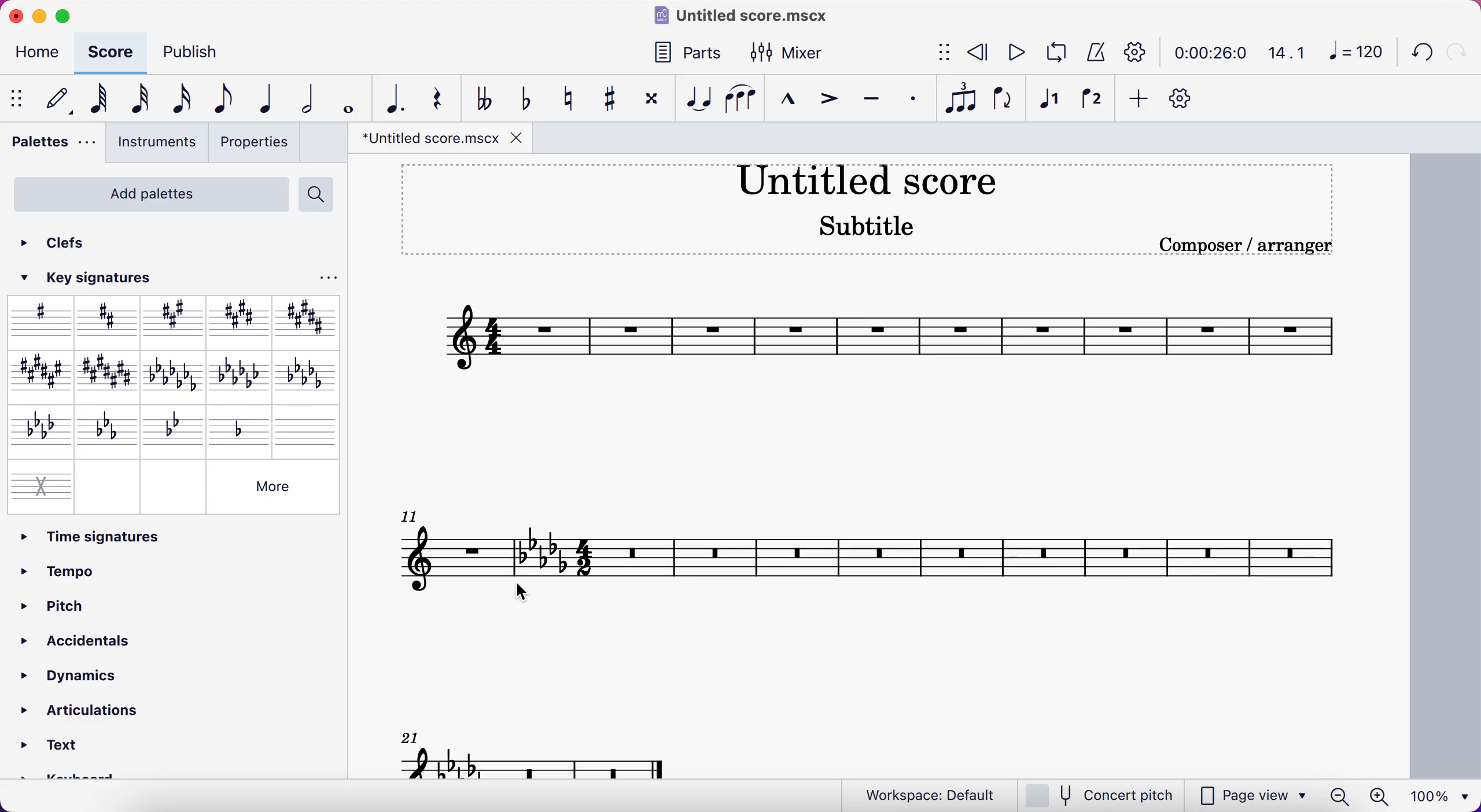  Describe the element at coordinates (918, 99) in the screenshot. I see `staccato` at that location.